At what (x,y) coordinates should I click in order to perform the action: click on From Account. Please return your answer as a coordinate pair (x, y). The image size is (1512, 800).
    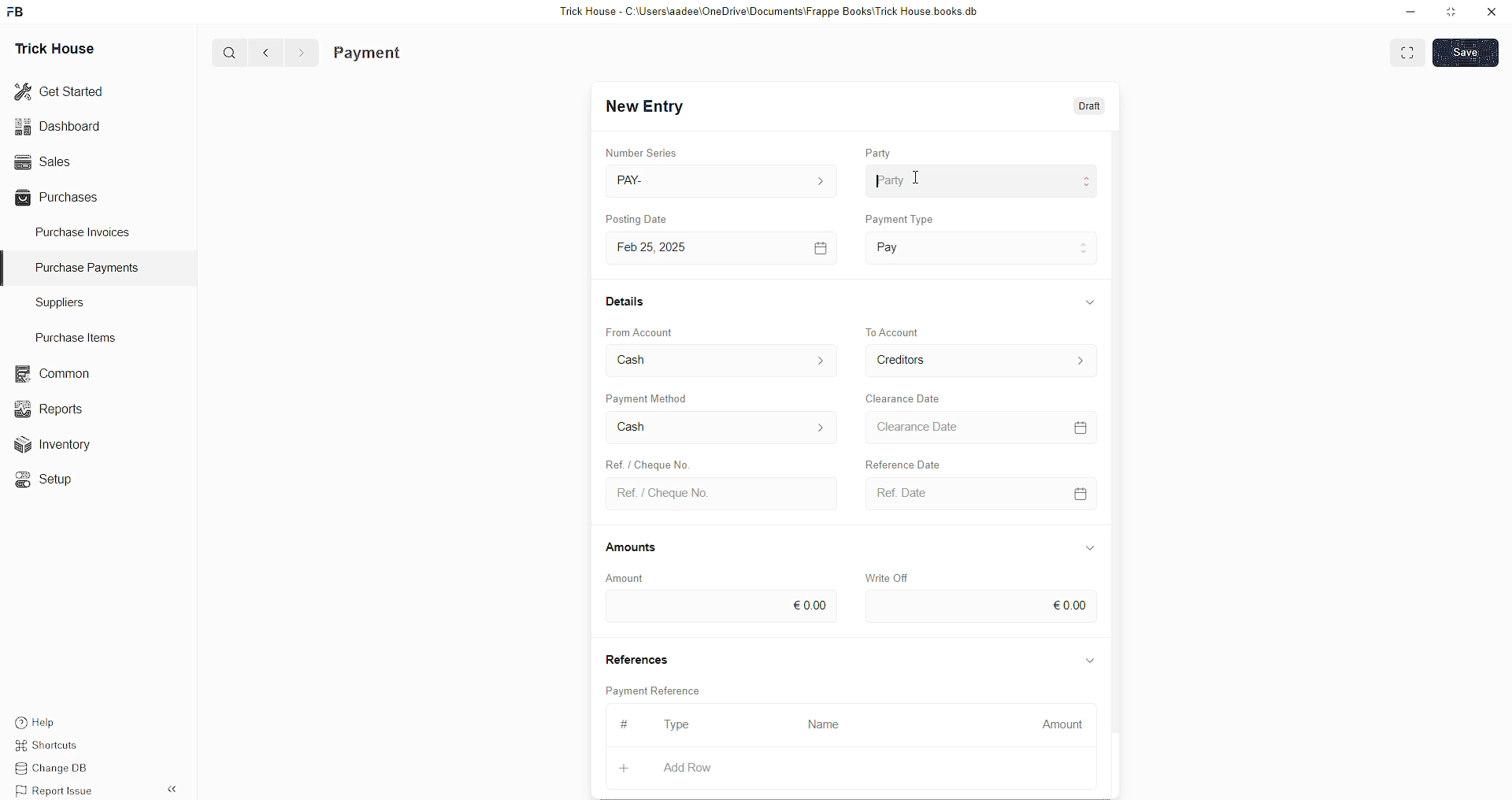
    Looking at the image, I should click on (661, 361).